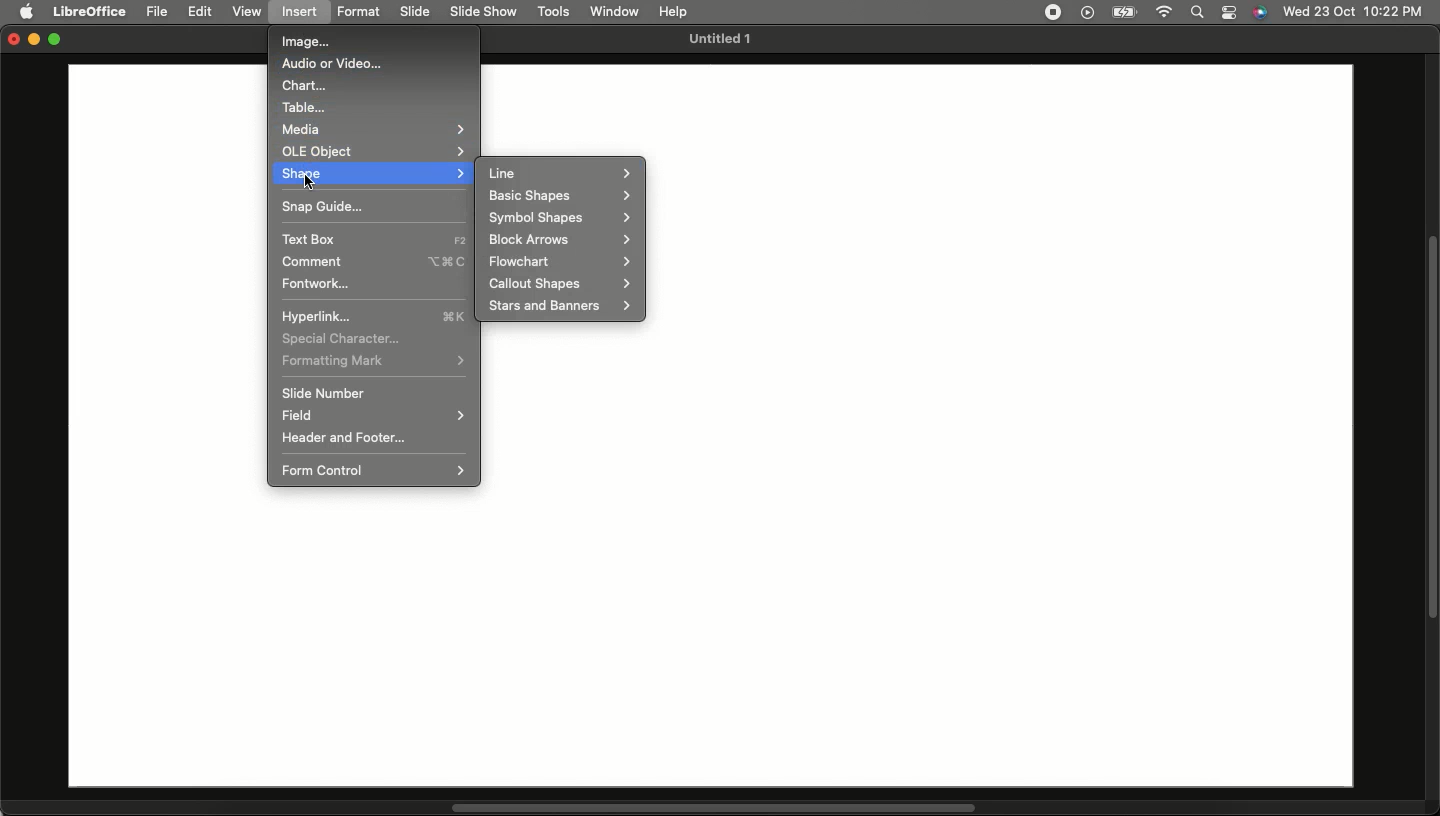 Image resolution: width=1440 pixels, height=816 pixels. What do you see at coordinates (714, 808) in the screenshot?
I see `Scroll` at bounding box center [714, 808].